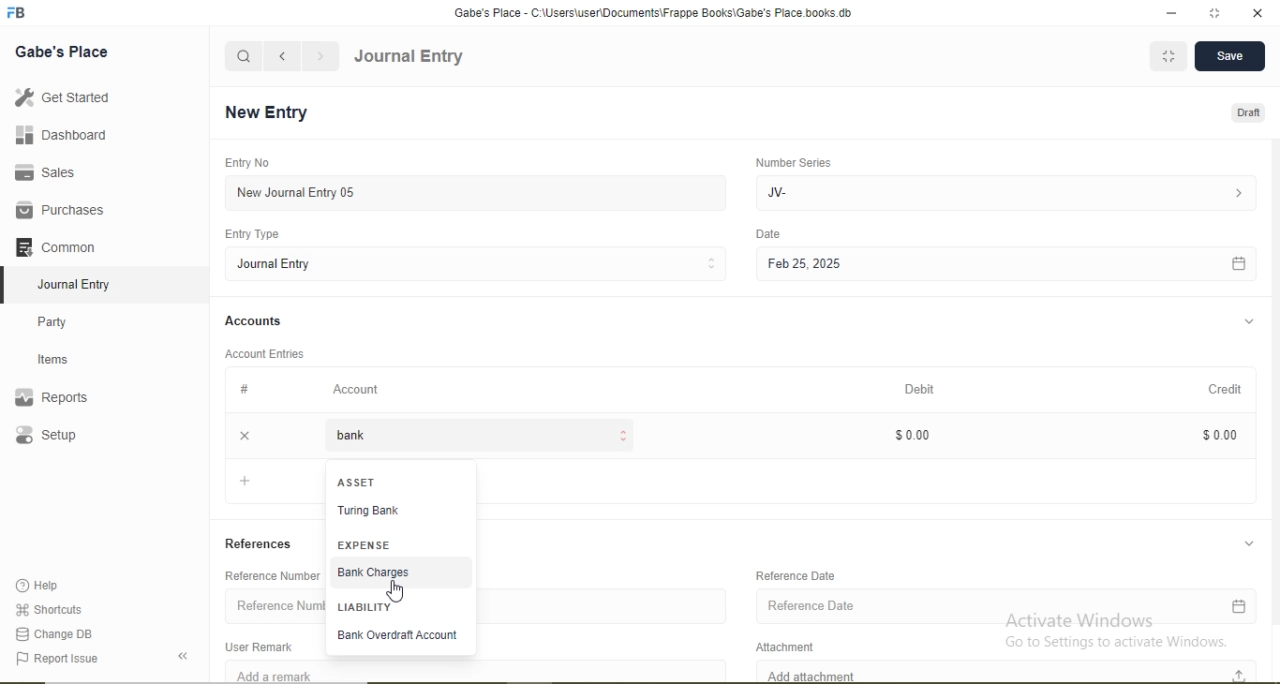 This screenshot has width=1280, height=684. I want to click on logo, so click(18, 13).